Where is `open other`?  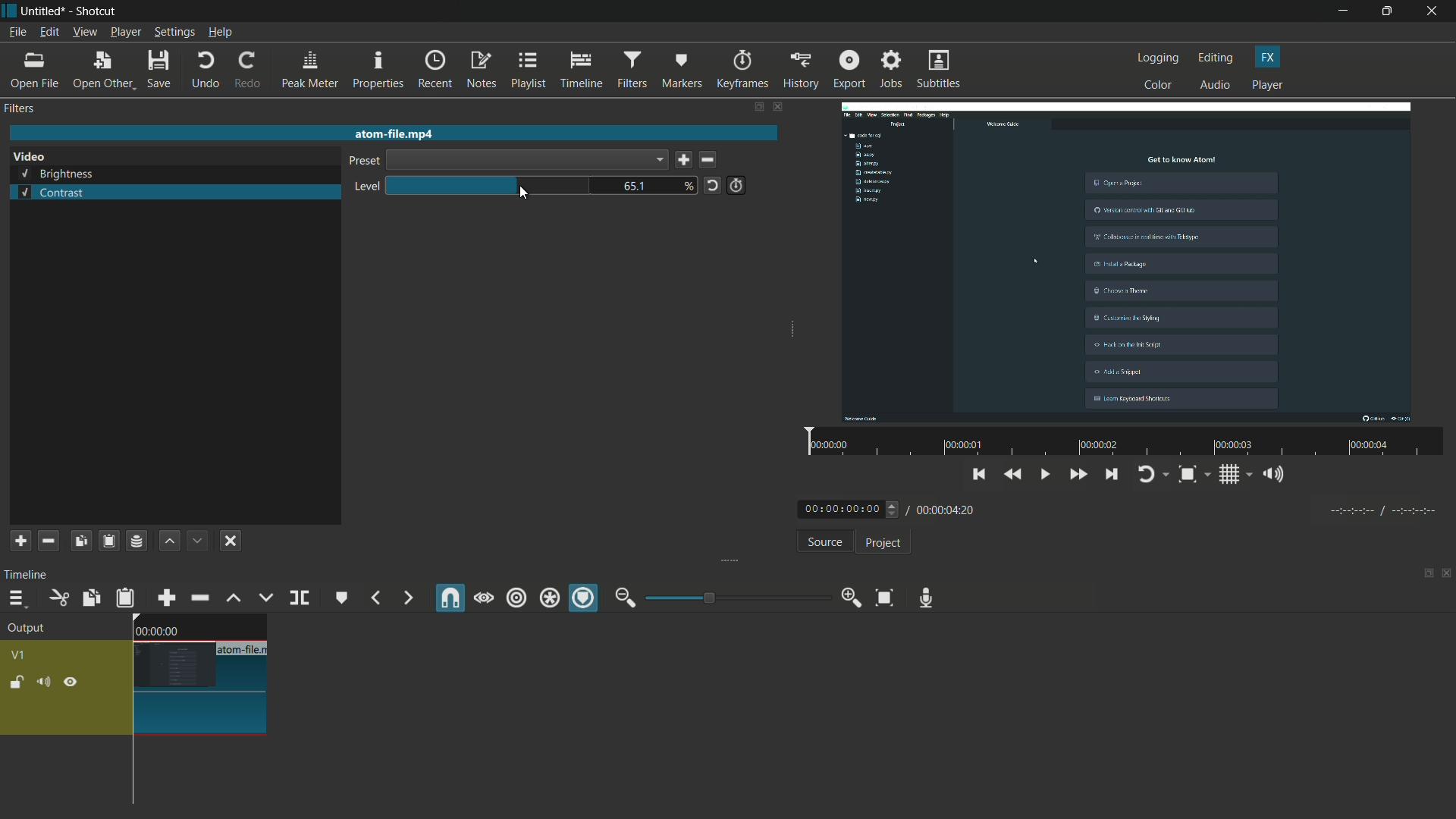 open other is located at coordinates (103, 71).